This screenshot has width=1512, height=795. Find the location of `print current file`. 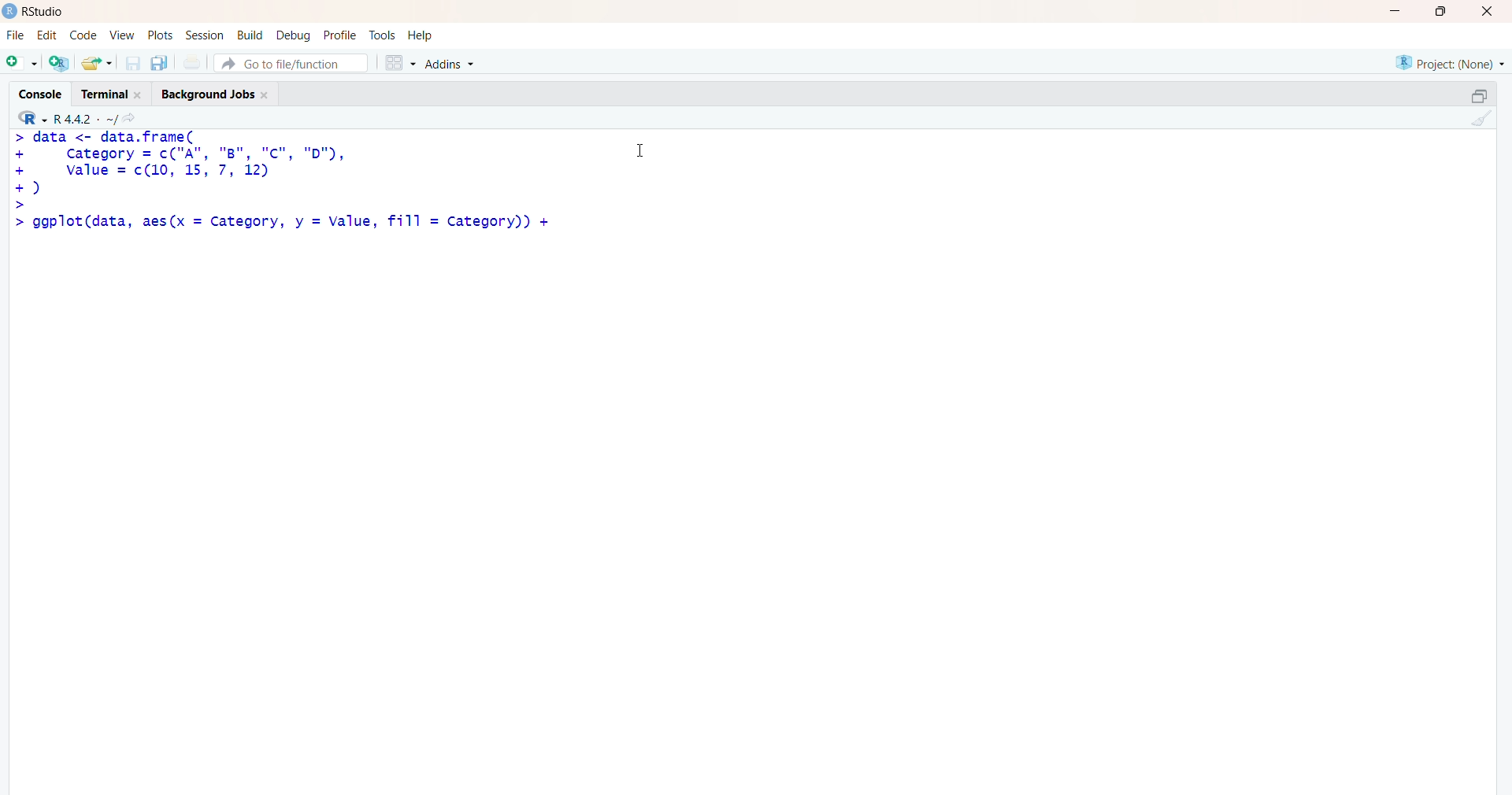

print current file is located at coordinates (190, 62).